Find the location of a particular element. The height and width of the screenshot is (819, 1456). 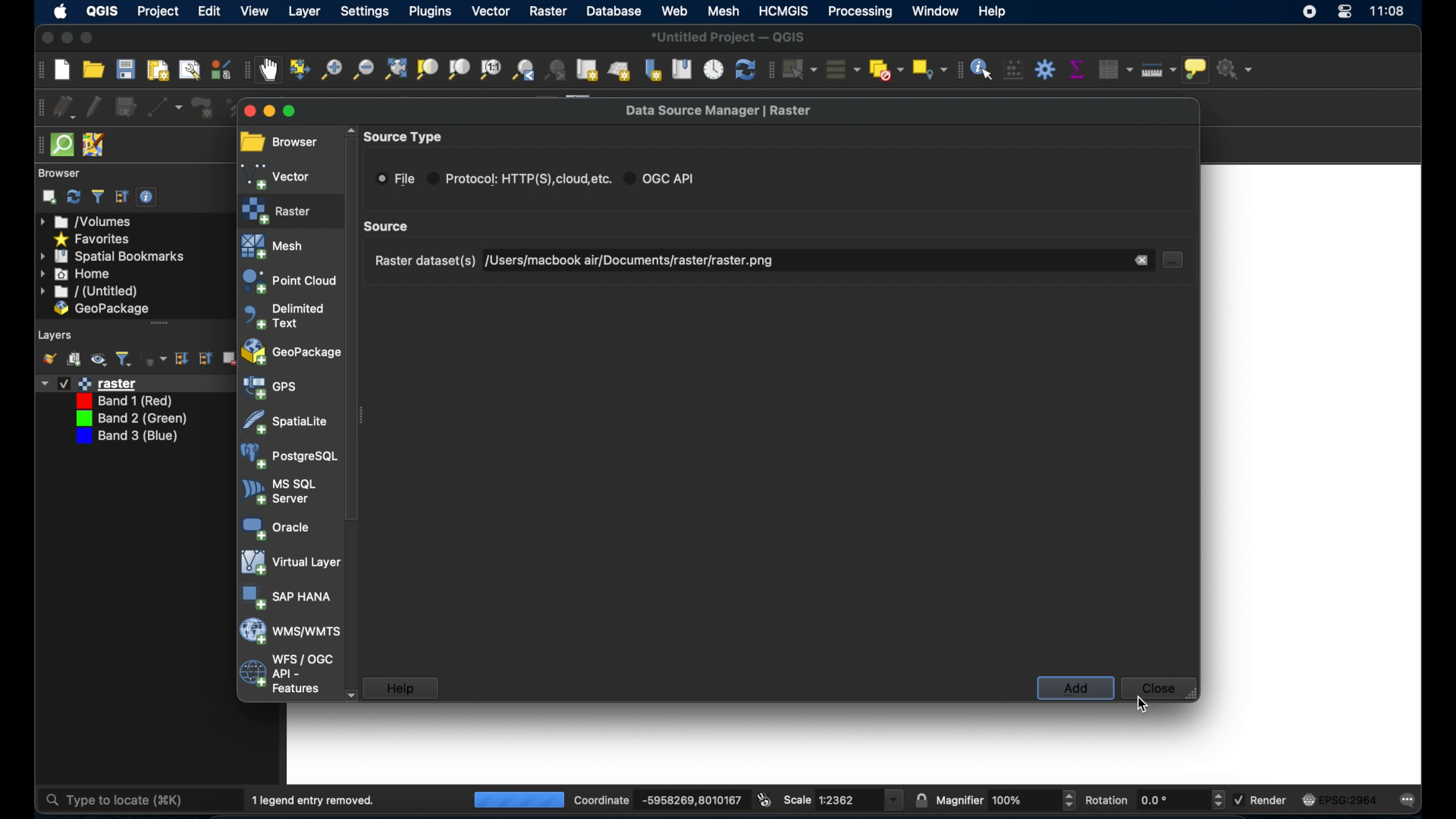

close is located at coordinates (1162, 689).